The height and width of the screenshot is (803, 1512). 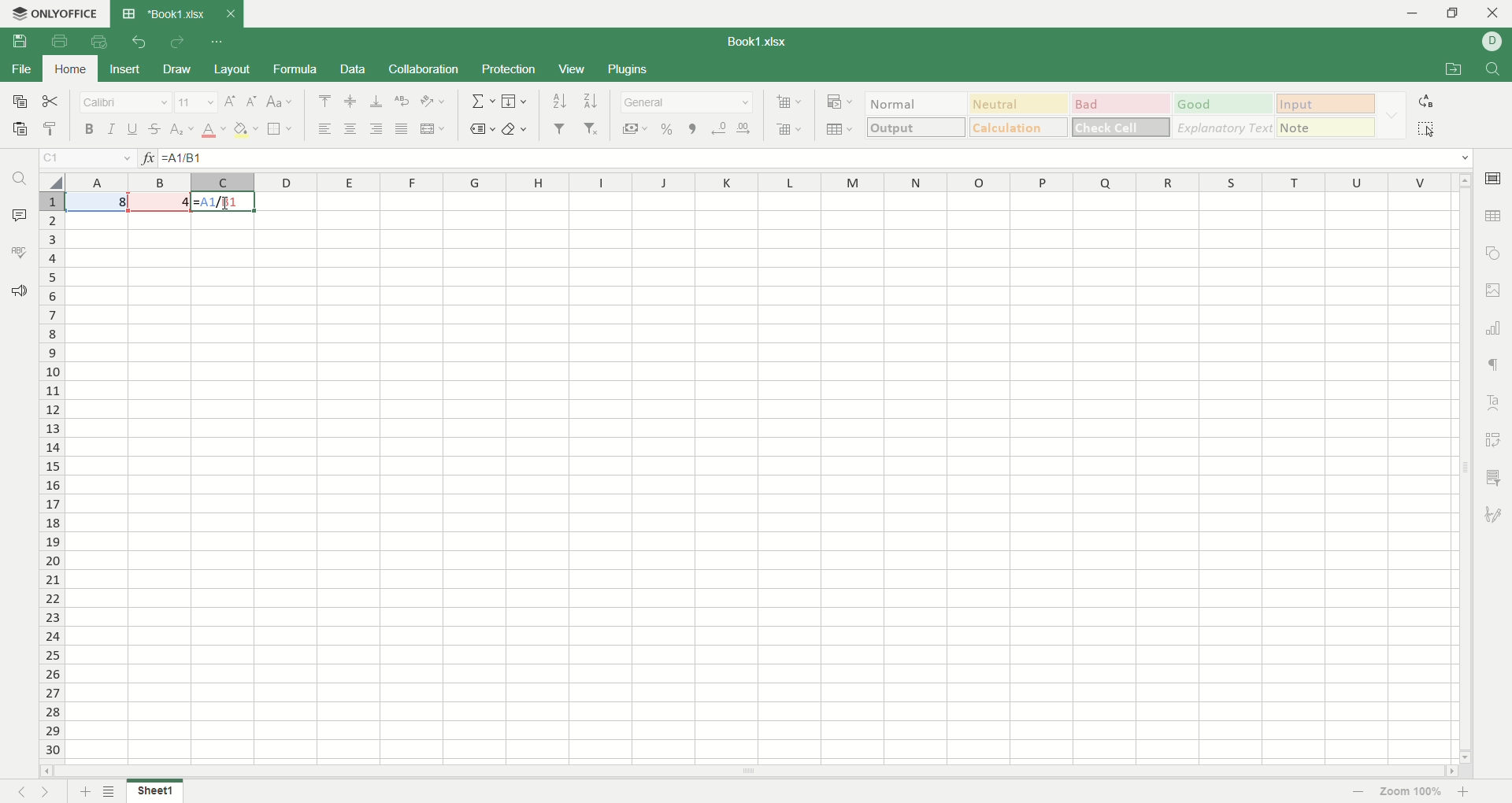 I want to click on 8, so click(x=95, y=201).